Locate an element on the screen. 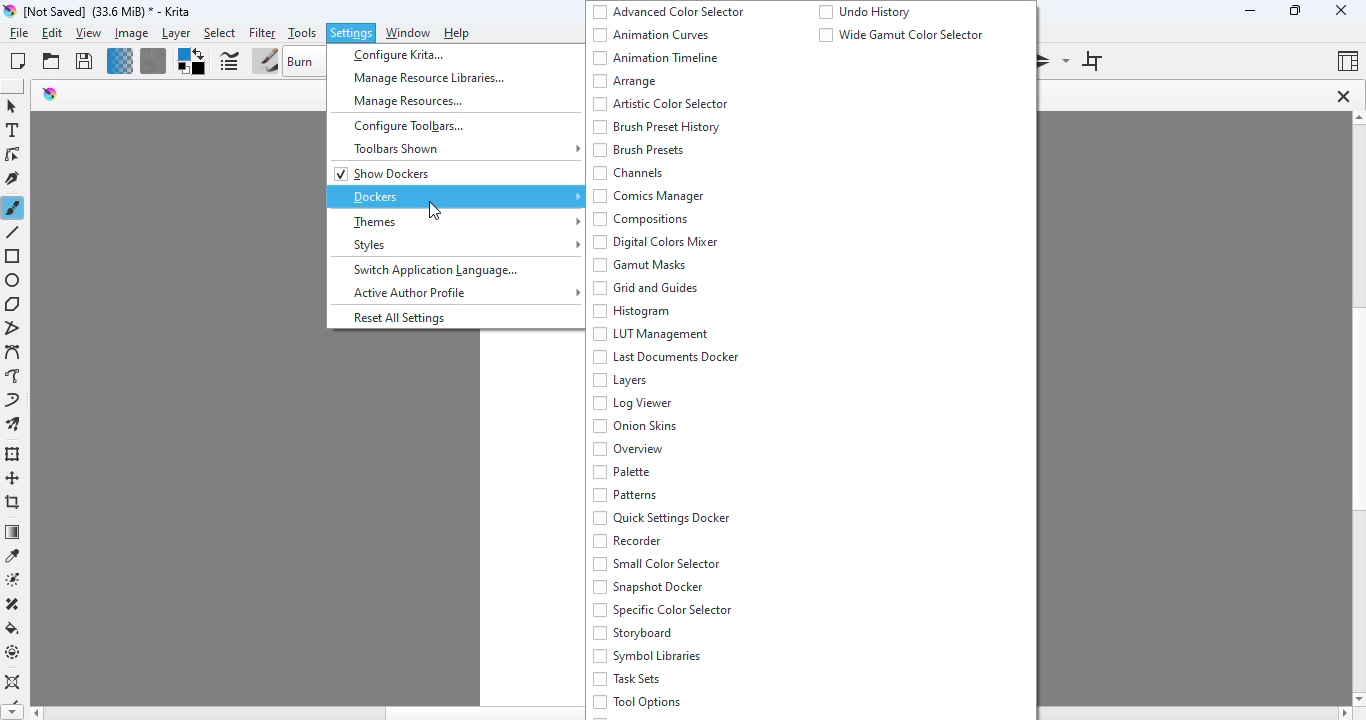 This screenshot has height=720, width=1366. foreground/background color selector is located at coordinates (190, 62).